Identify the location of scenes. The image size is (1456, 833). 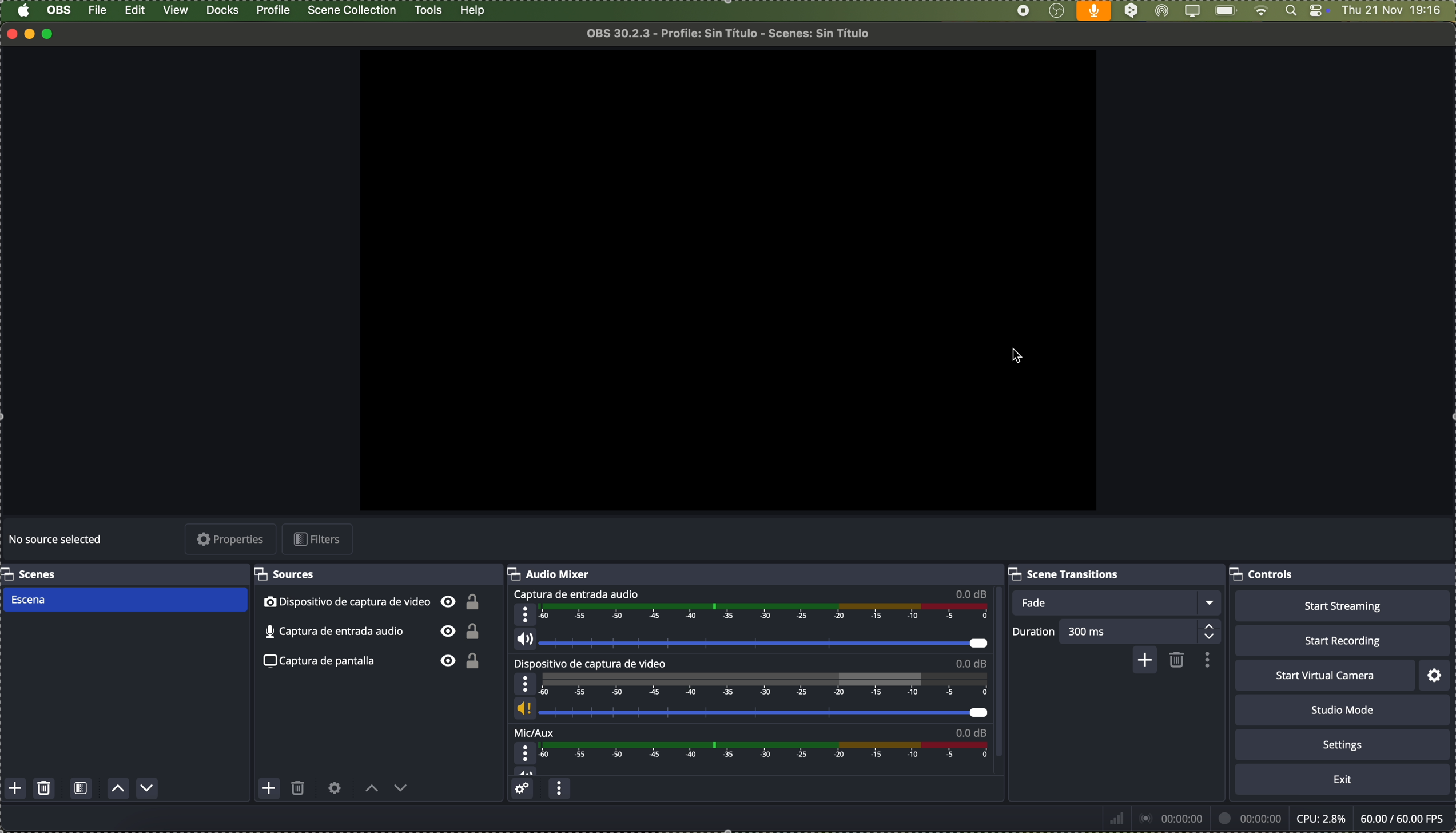
(31, 574).